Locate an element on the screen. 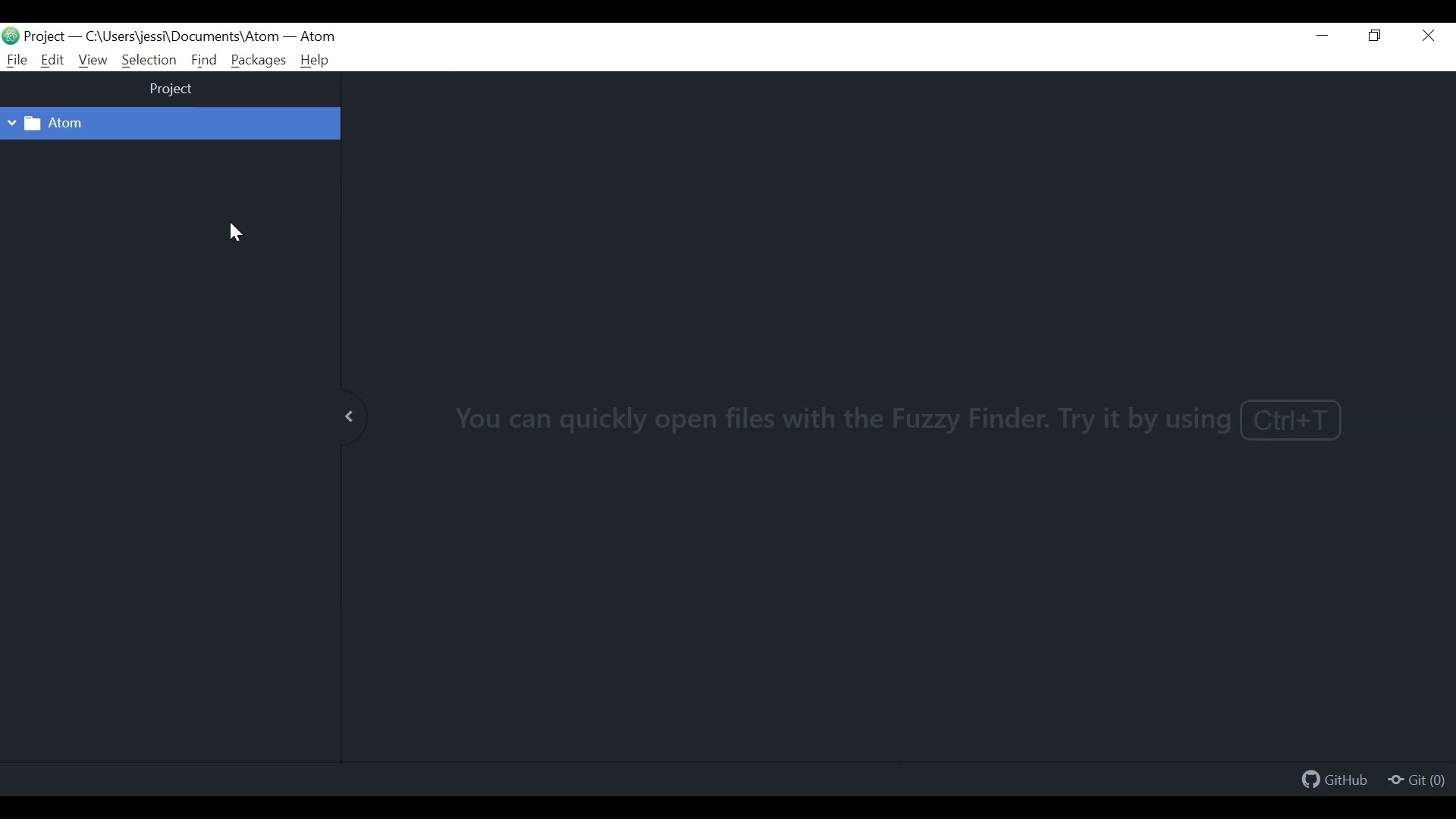 The height and width of the screenshot is (819, 1456). Close is located at coordinates (1429, 36).